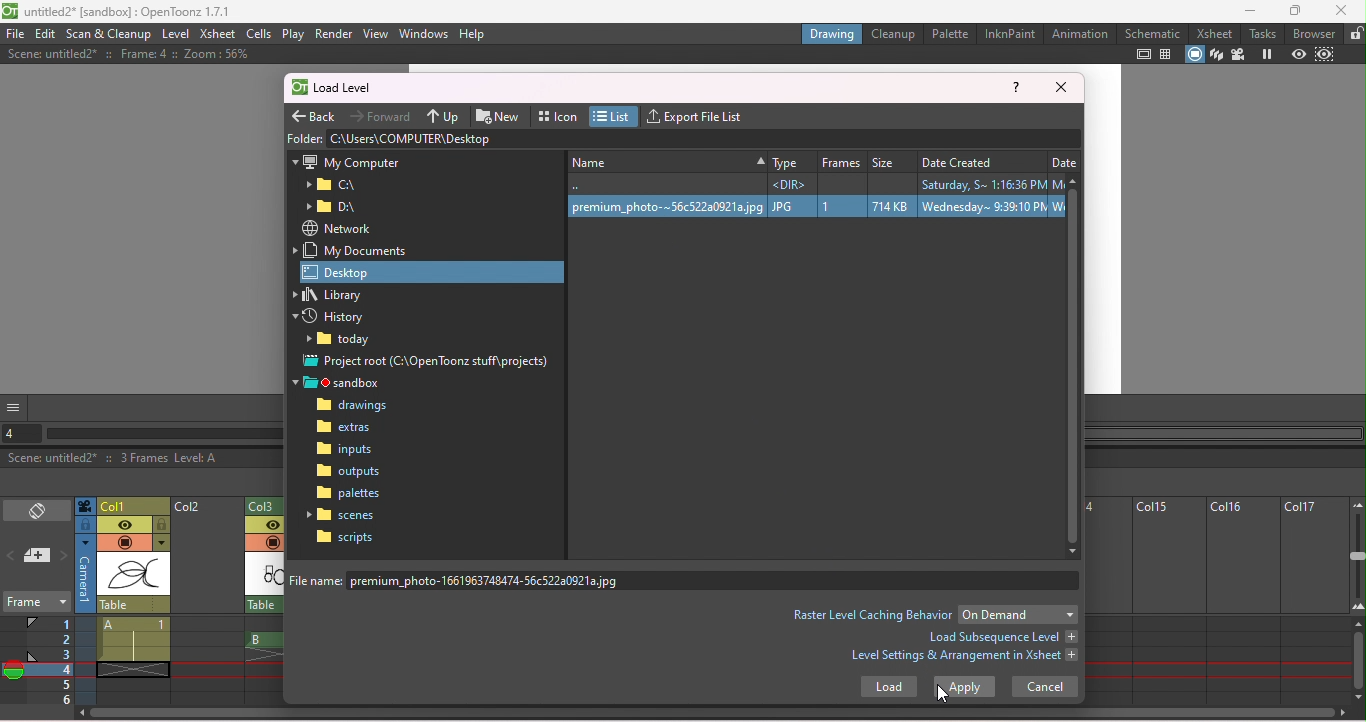  Describe the element at coordinates (896, 33) in the screenshot. I see `Cleanup` at that location.